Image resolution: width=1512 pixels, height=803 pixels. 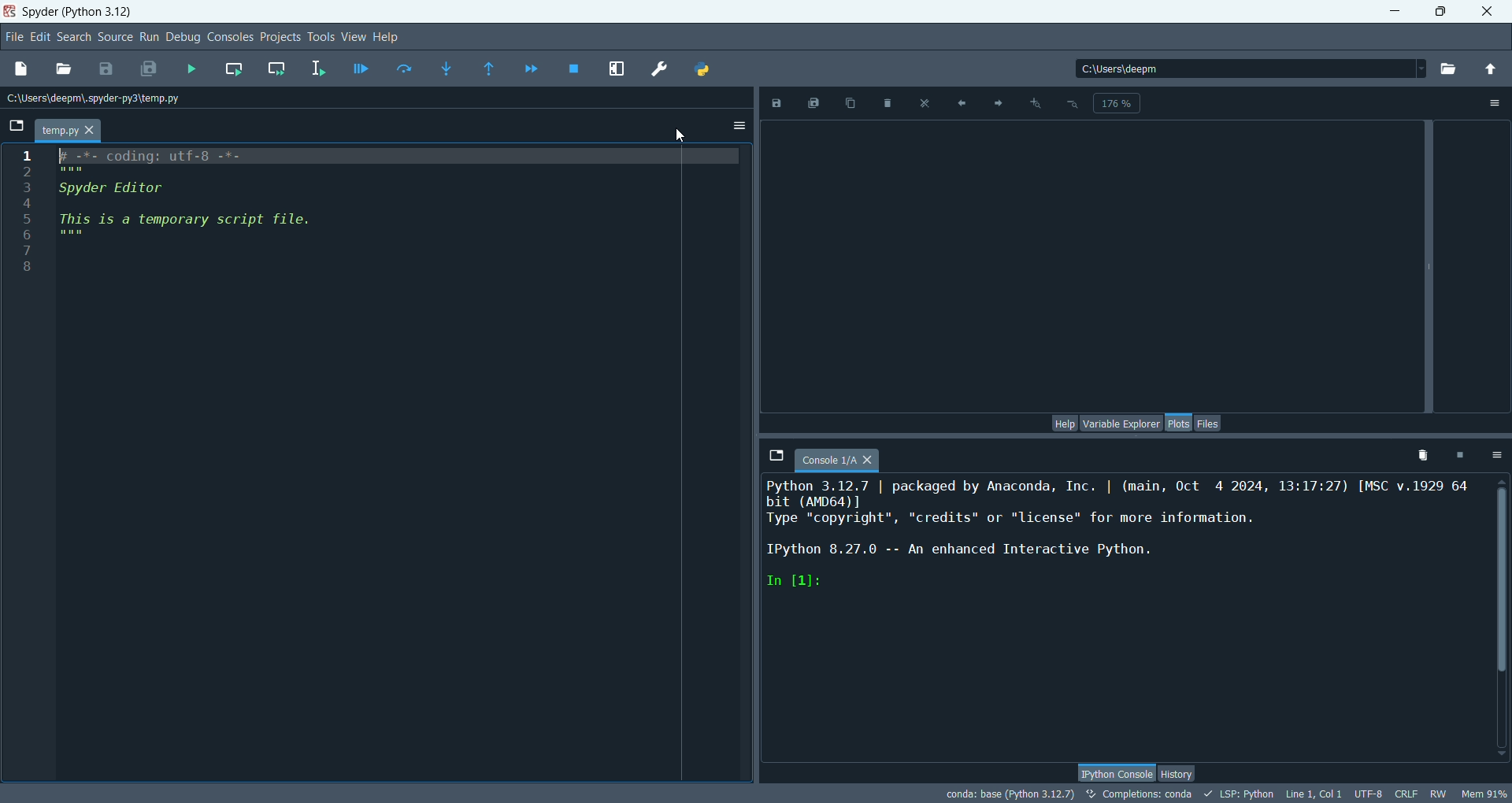 What do you see at coordinates (324, 68) in the screenshot?
I see `run selection` at bounding box center [324, 68].